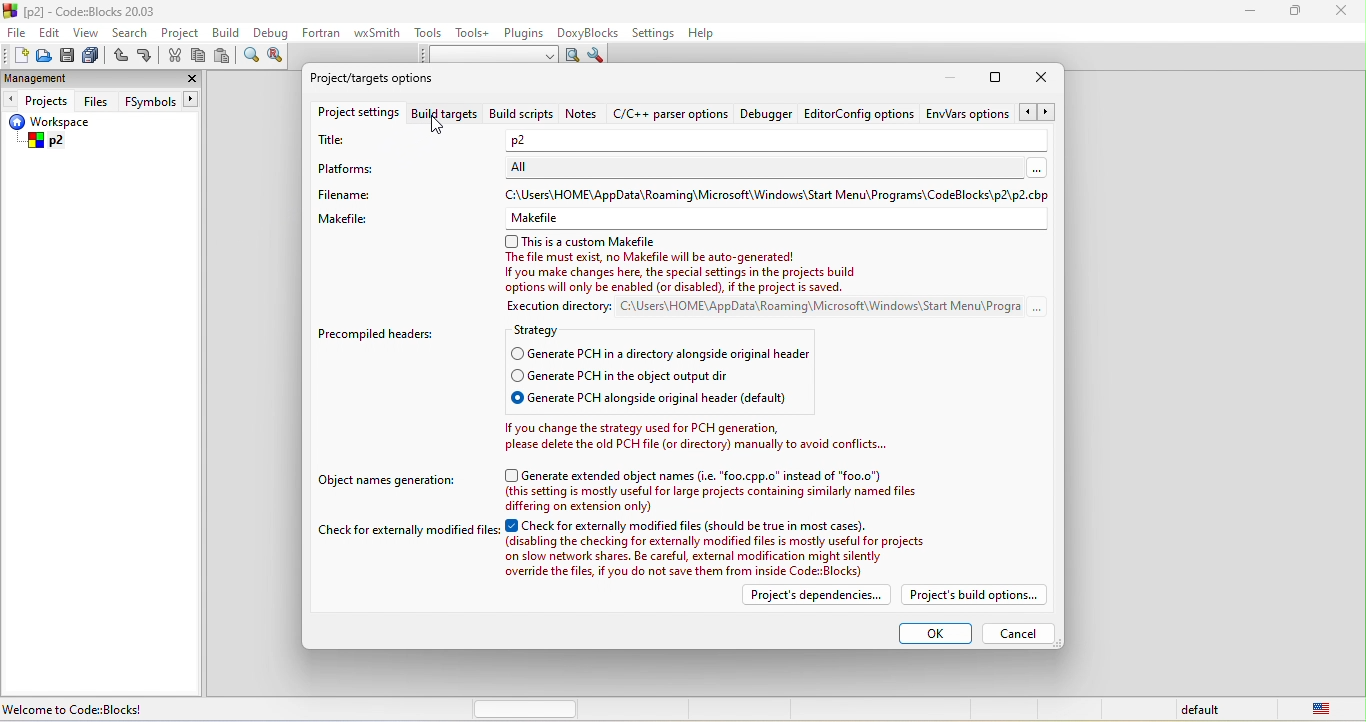  I want to click on save everything, so click(94, 55).